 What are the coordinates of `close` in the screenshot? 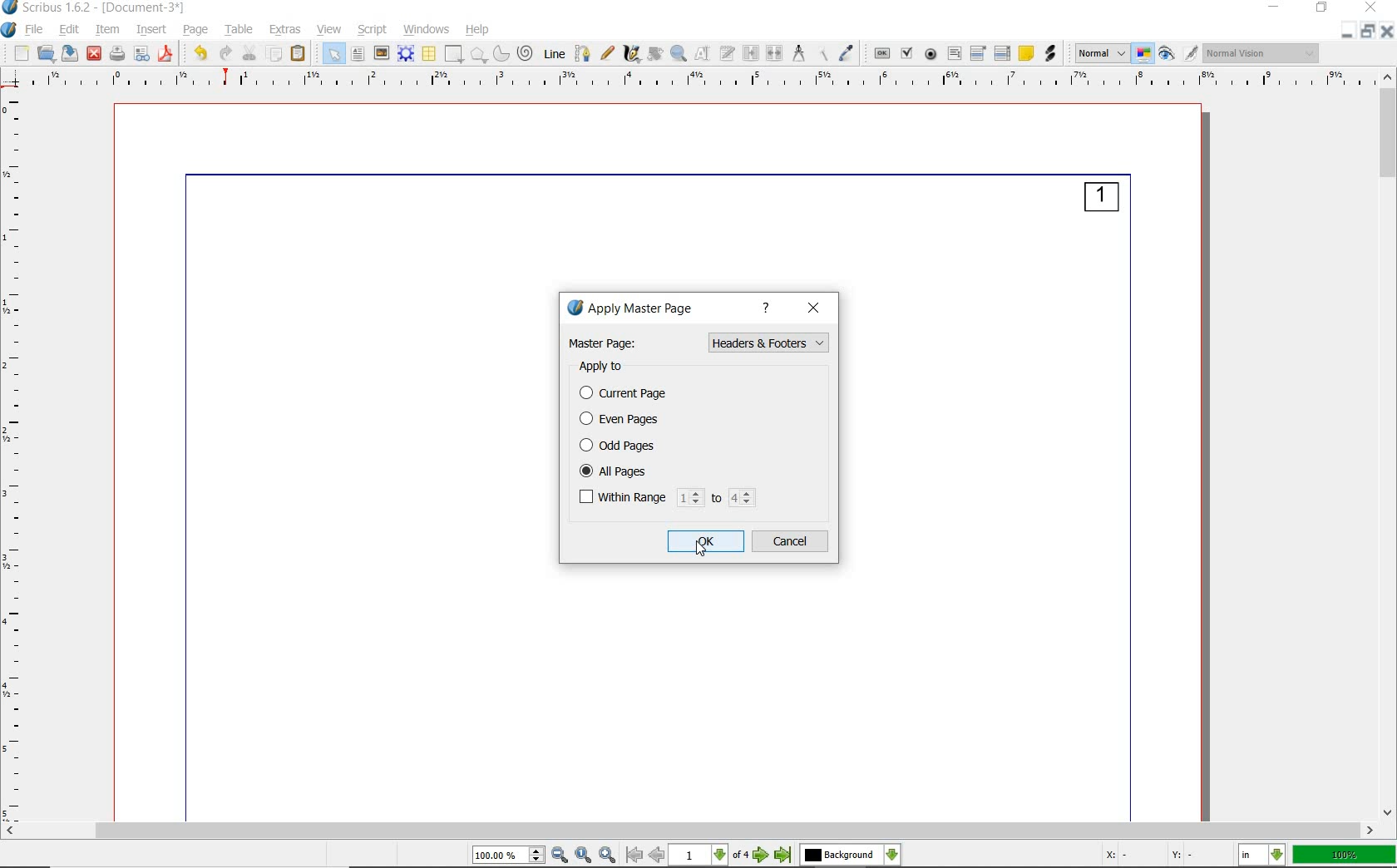 It's located at (95, 55).